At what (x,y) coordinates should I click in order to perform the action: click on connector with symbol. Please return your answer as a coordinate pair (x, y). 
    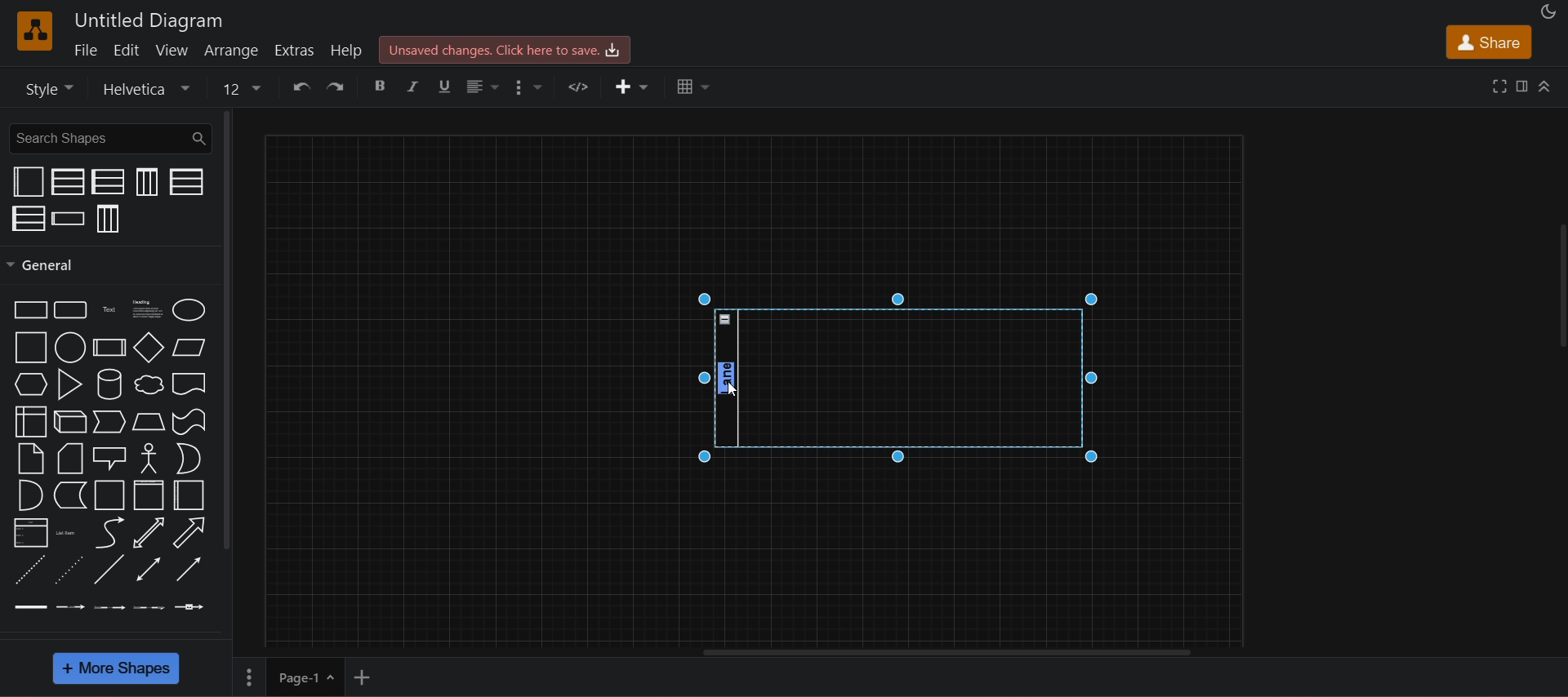
    Looking at the image, I should click on (189, 606).